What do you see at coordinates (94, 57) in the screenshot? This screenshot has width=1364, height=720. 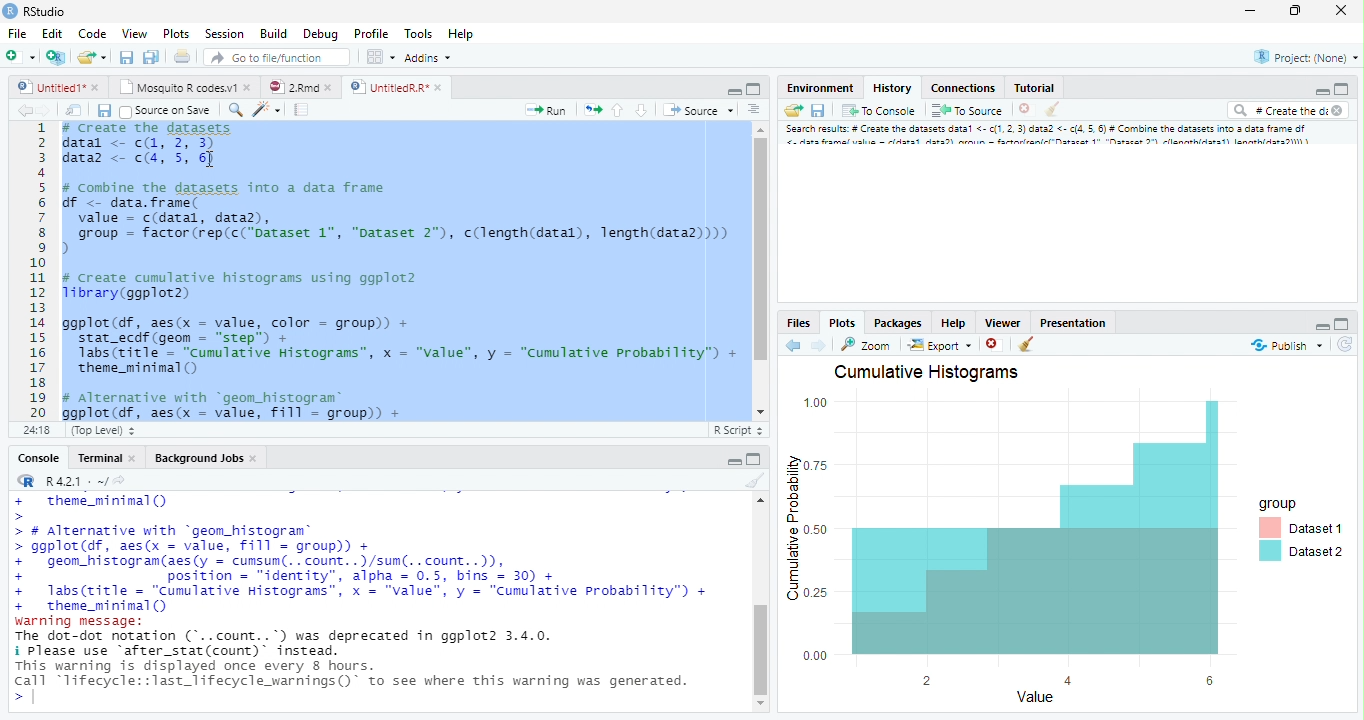 I see `Create a new file` at bounding box center [94, 57].